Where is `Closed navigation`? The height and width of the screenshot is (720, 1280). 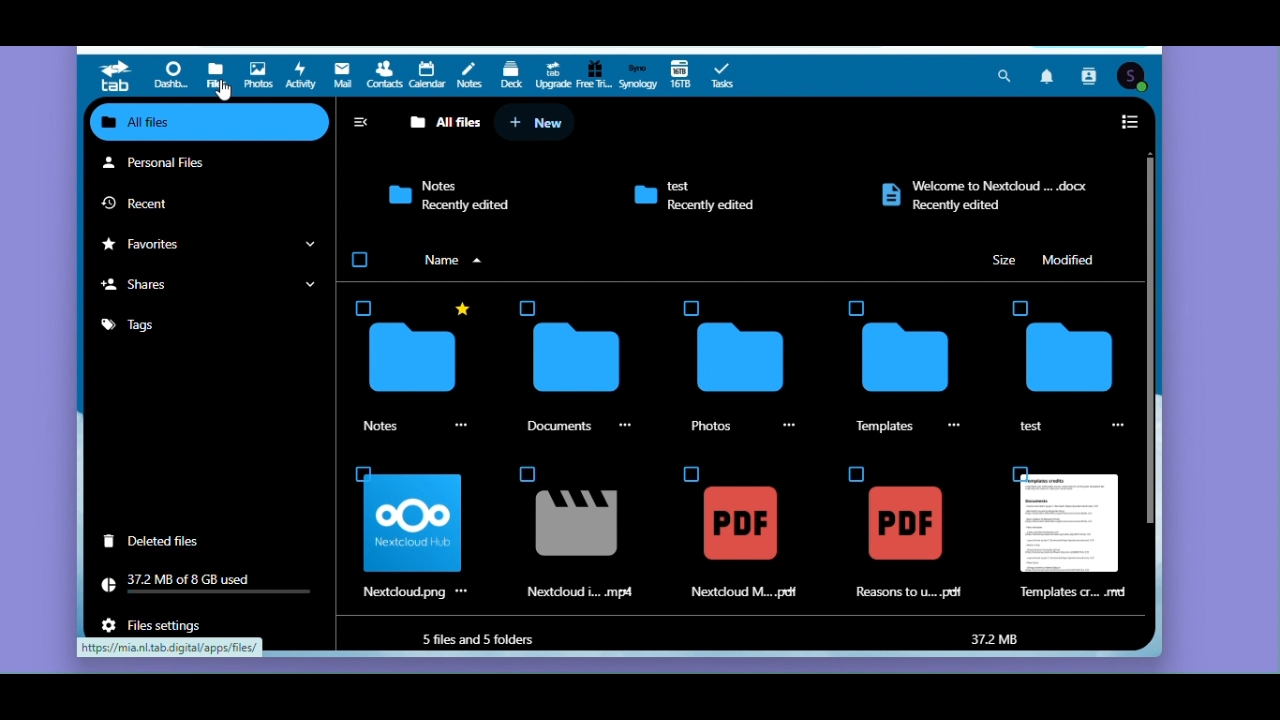
Closed navigation is located at coordinates (359, 123).